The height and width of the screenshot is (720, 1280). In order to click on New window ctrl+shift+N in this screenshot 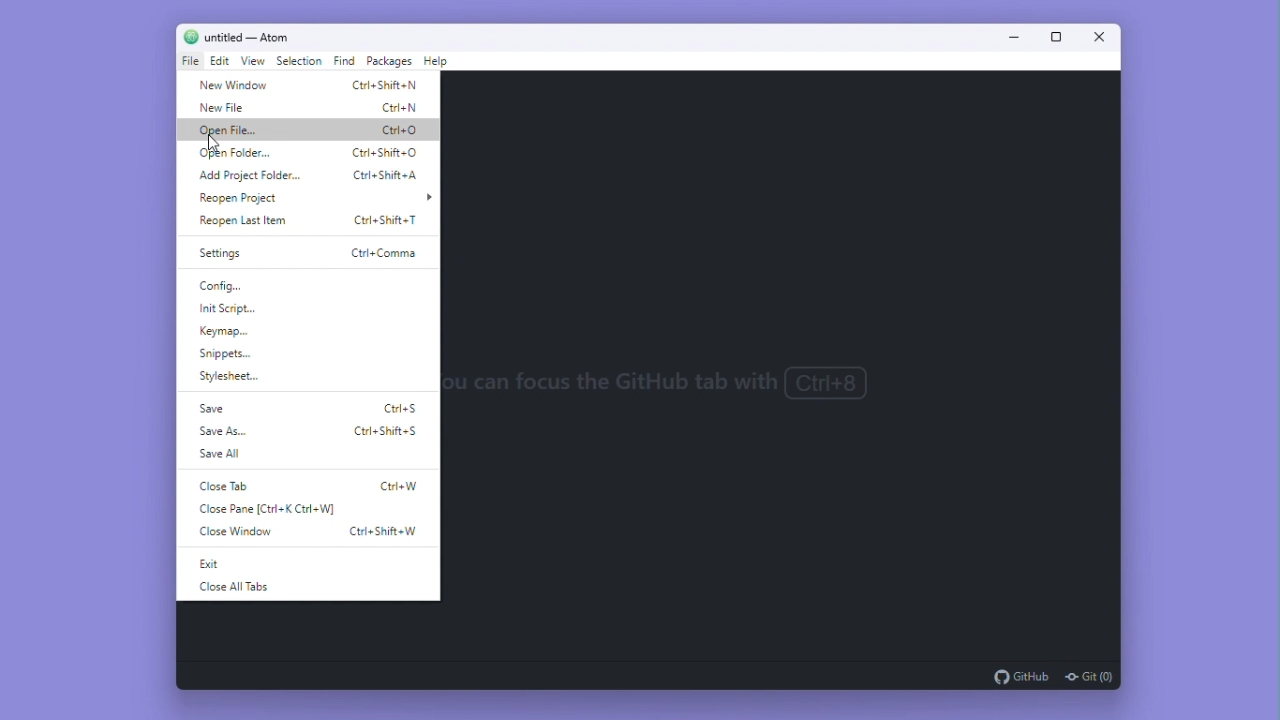, I will do `click(308, 86)`.